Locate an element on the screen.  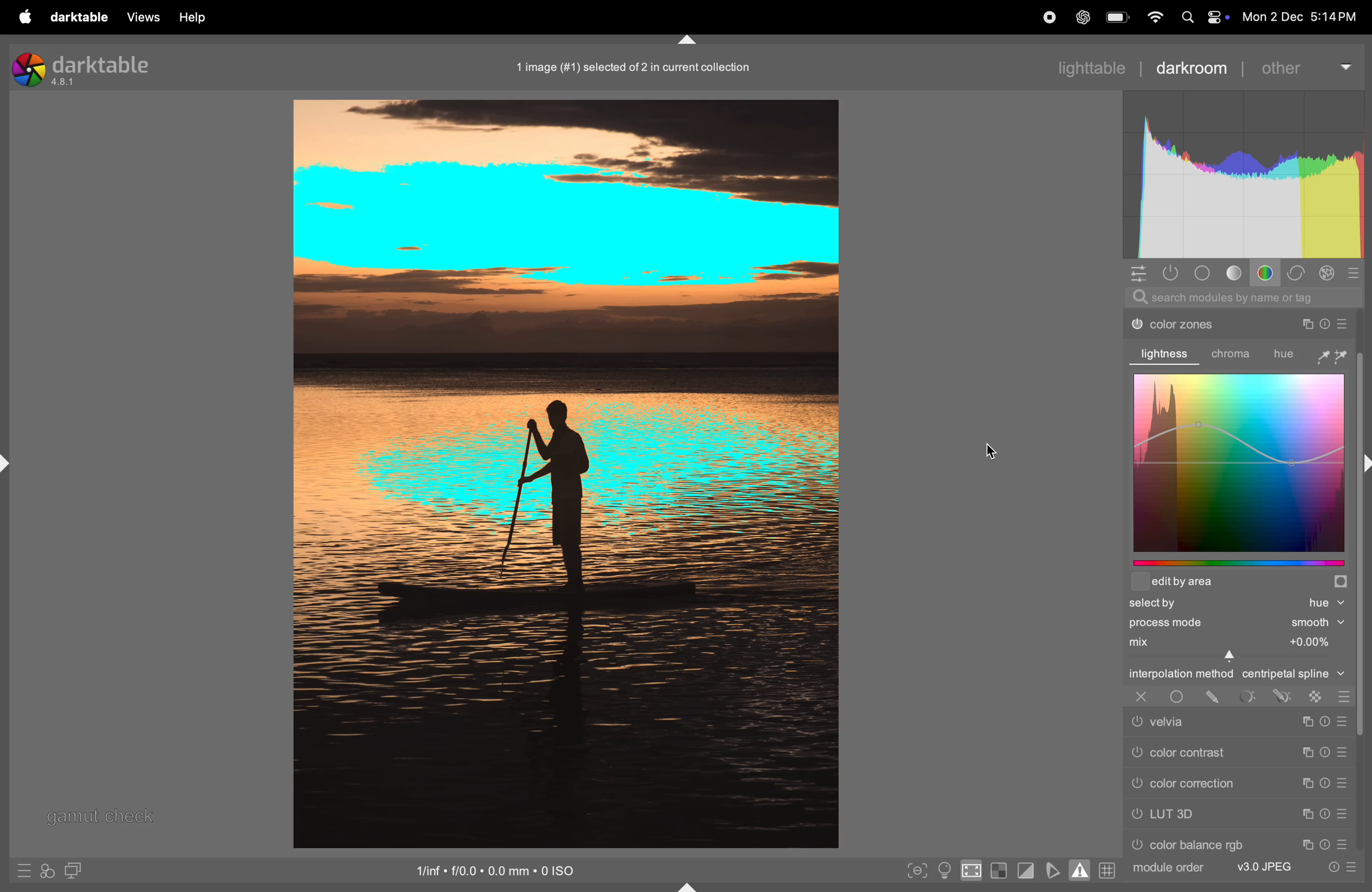
 is located at coordinates (1266, 272).